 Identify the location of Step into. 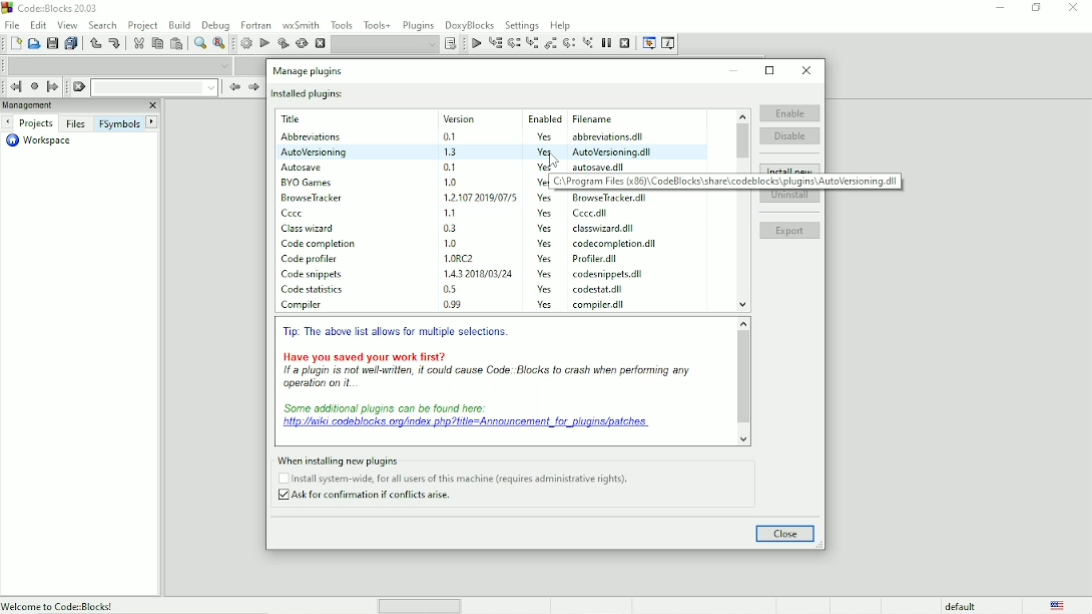
(532, 44).